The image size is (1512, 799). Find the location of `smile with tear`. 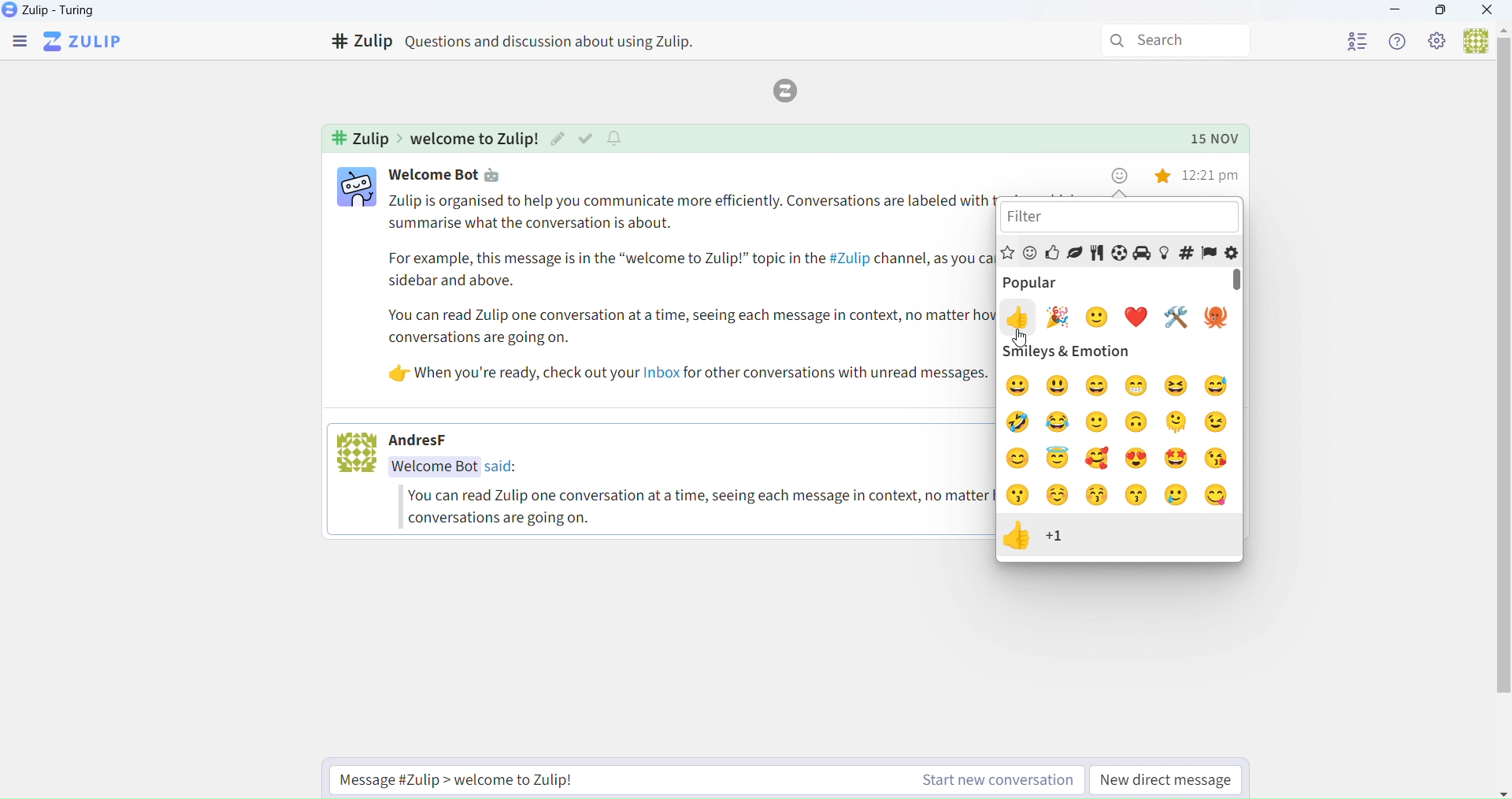

smile with tear is located at coordinates (1180, 497).